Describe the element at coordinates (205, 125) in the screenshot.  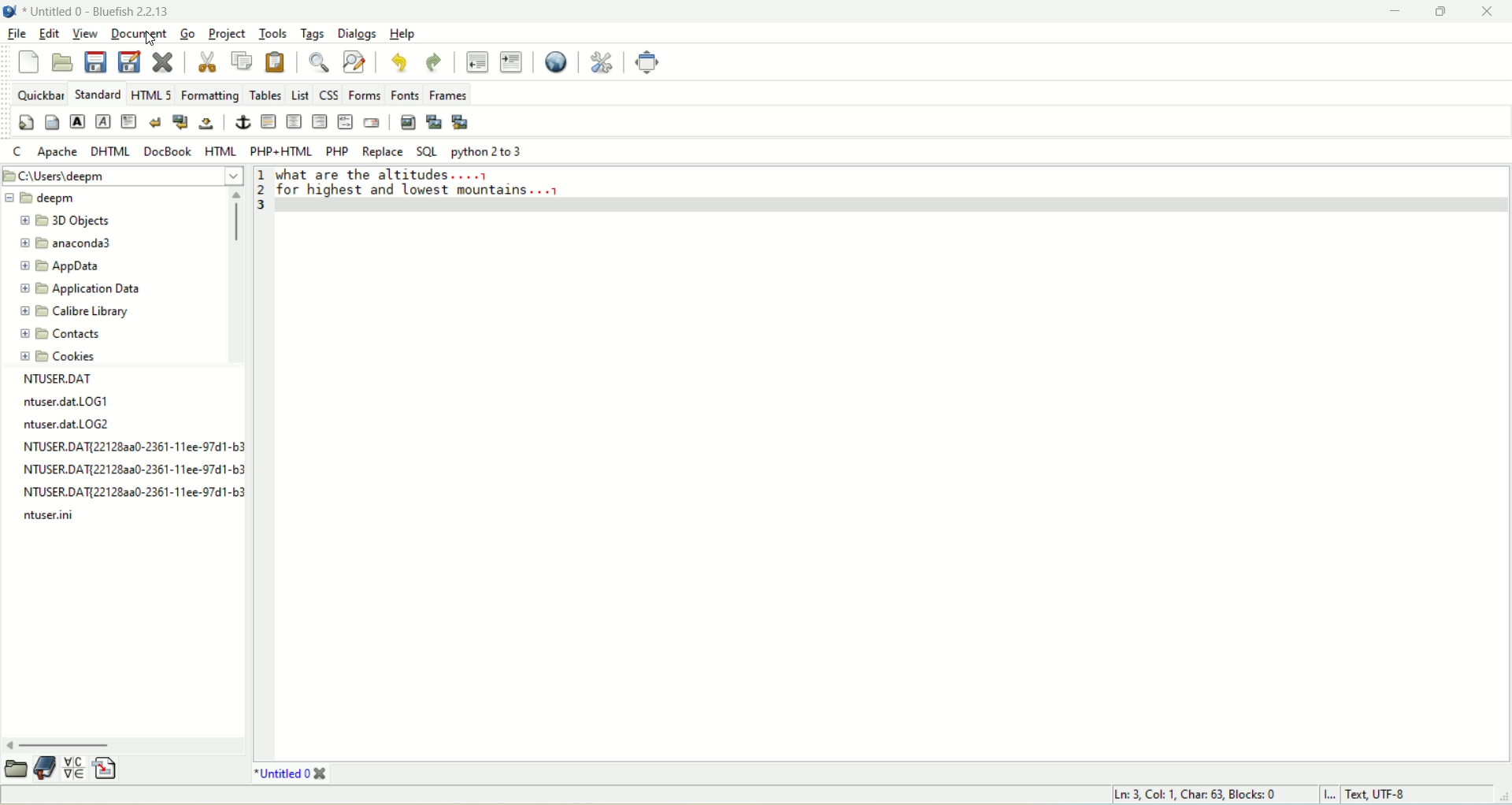
I see `non-breaking space` at that location.